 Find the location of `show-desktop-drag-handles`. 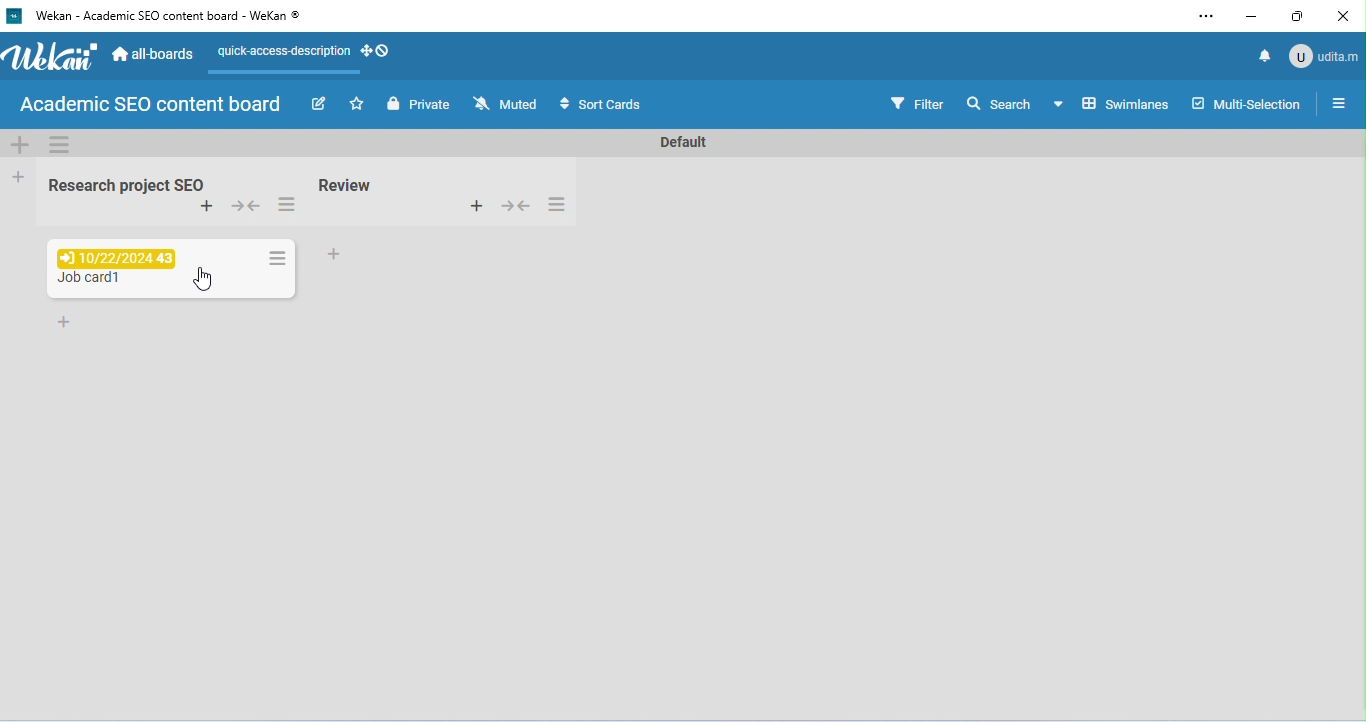

show-desktop-drag-handles is located at coordinates (377, 50).